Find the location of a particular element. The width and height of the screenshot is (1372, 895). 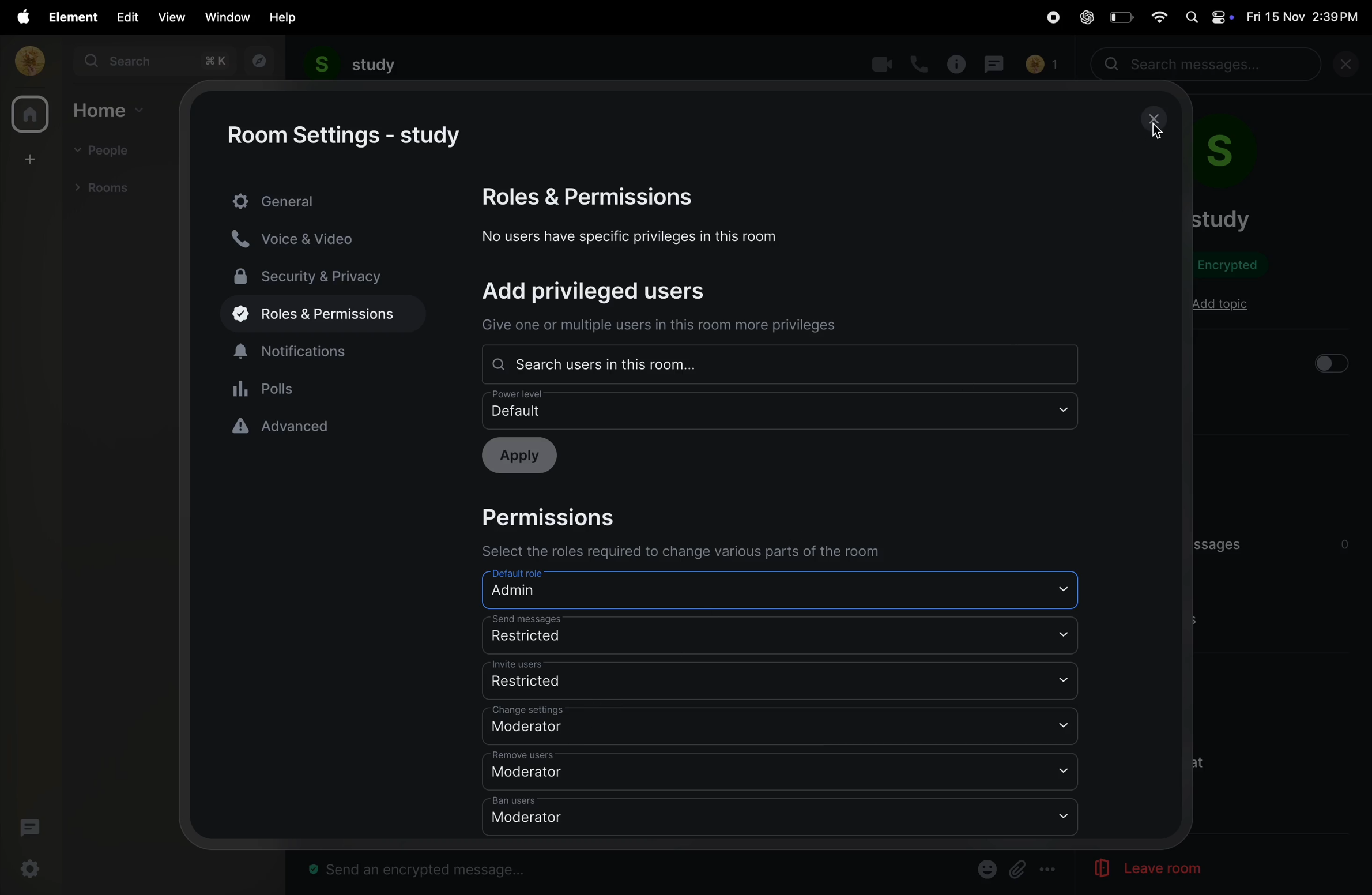

close is located at coordinates (1351, 67).